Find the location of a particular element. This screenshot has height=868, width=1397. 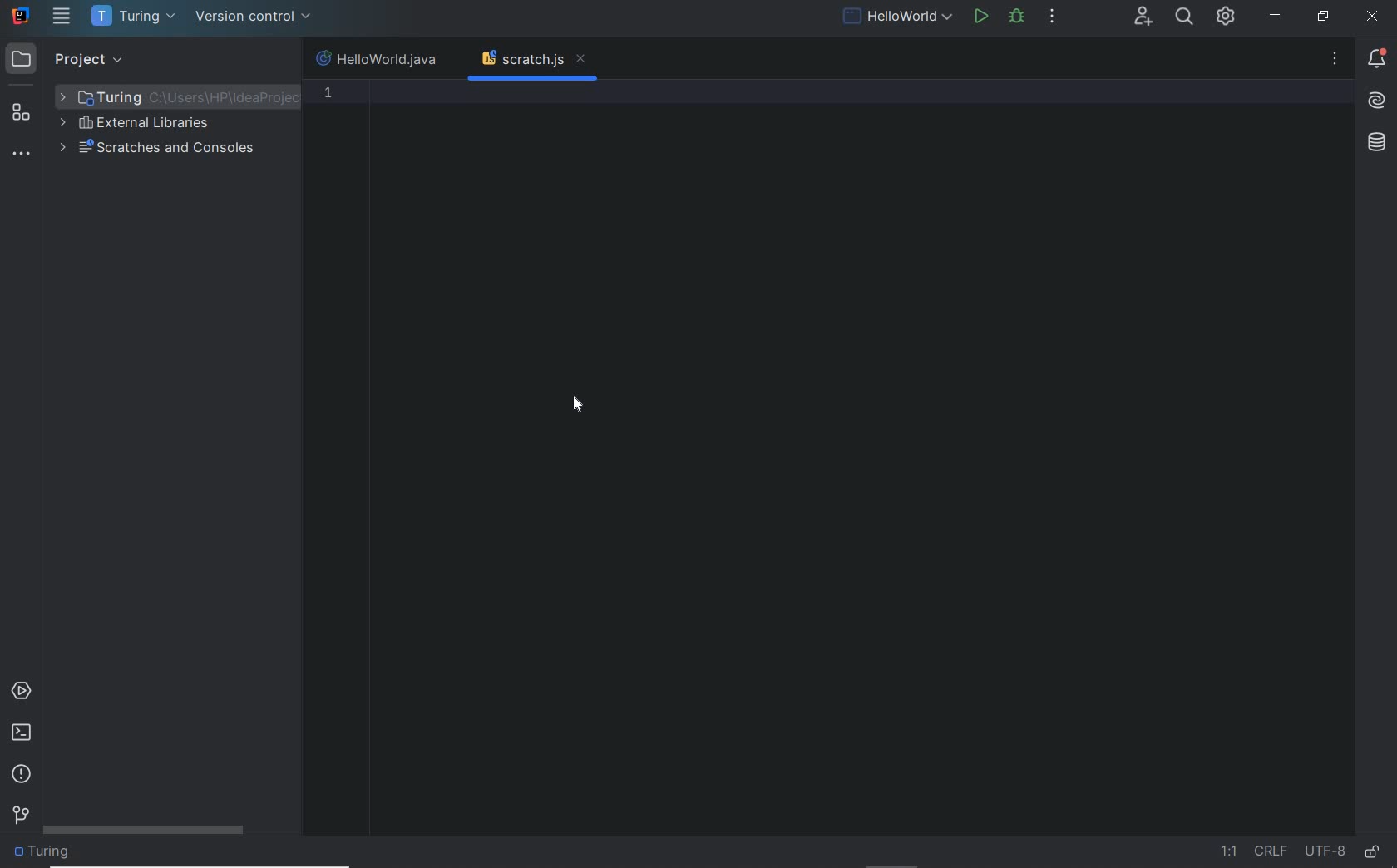

structure is located at coordinates (23, 106).